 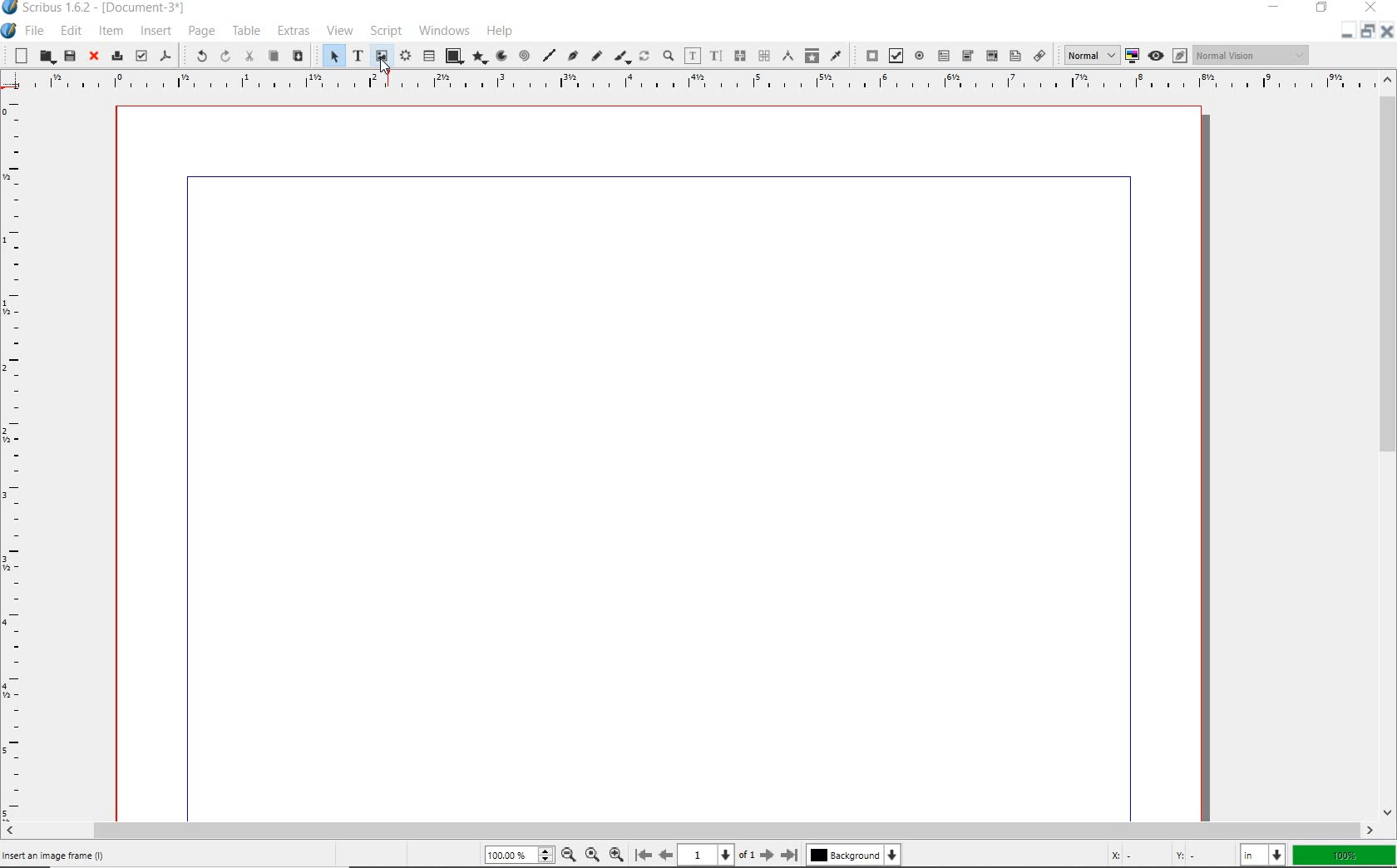 What do you see at coordinates (1389, 446) in the screenshot?
I see `SCROLLBAR` at bounding box center [1389, 446].